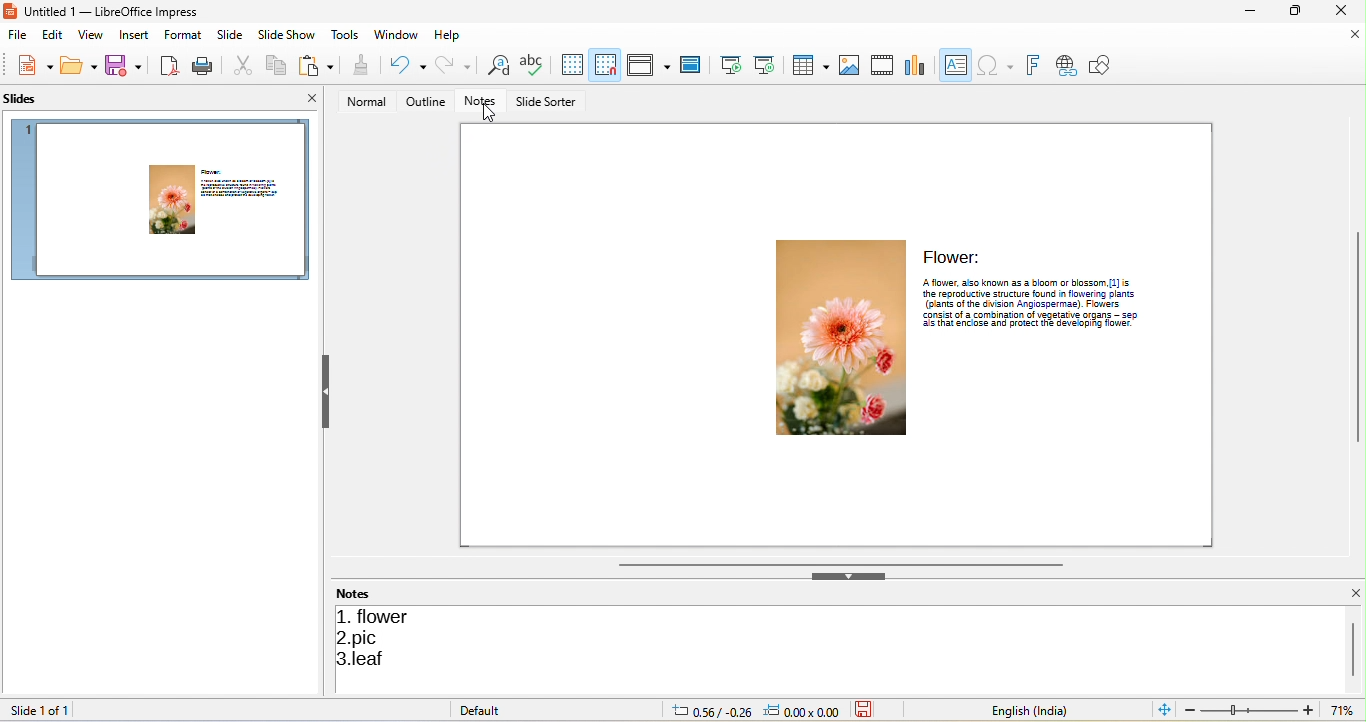 The height and width of the screenshot is (722, 1366). Describe the element at coordinates (1162, 710) in the screenshot. I see `fit slide to current window` at that location.